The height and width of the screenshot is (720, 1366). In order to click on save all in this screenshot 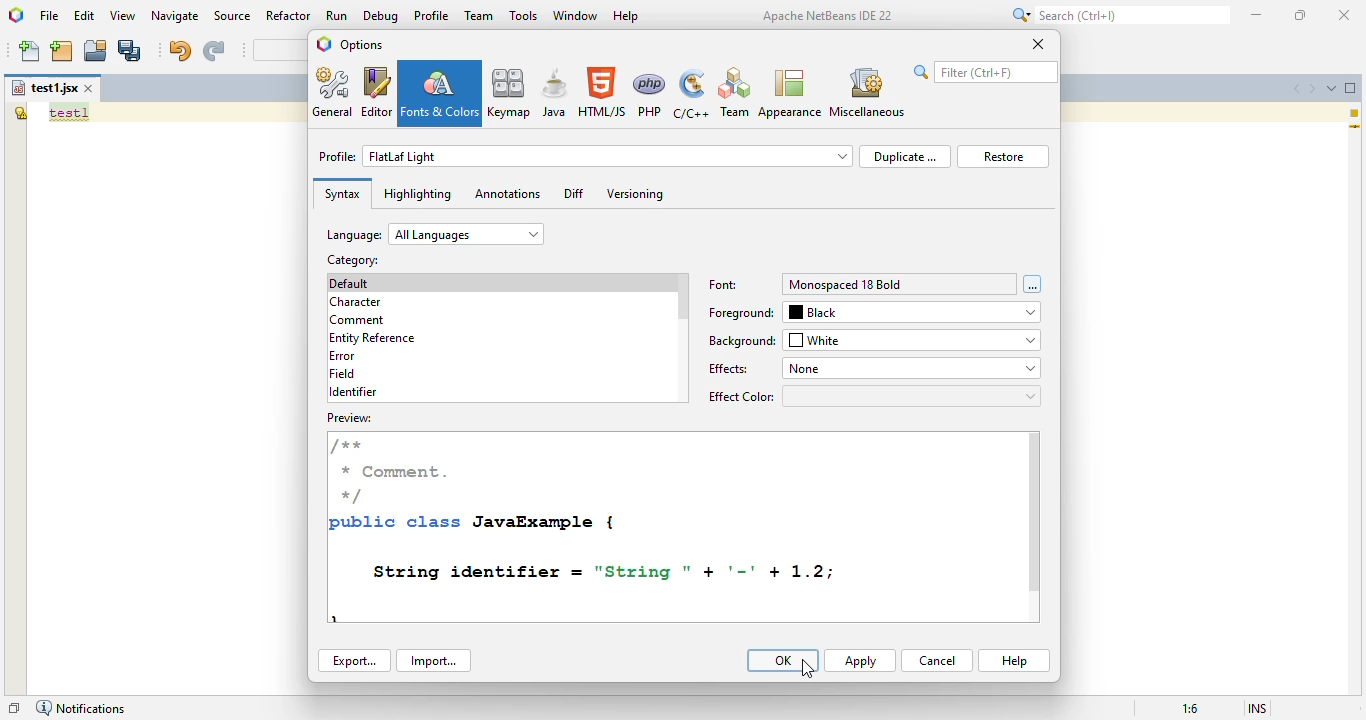, I will do `click(131, 50)`.